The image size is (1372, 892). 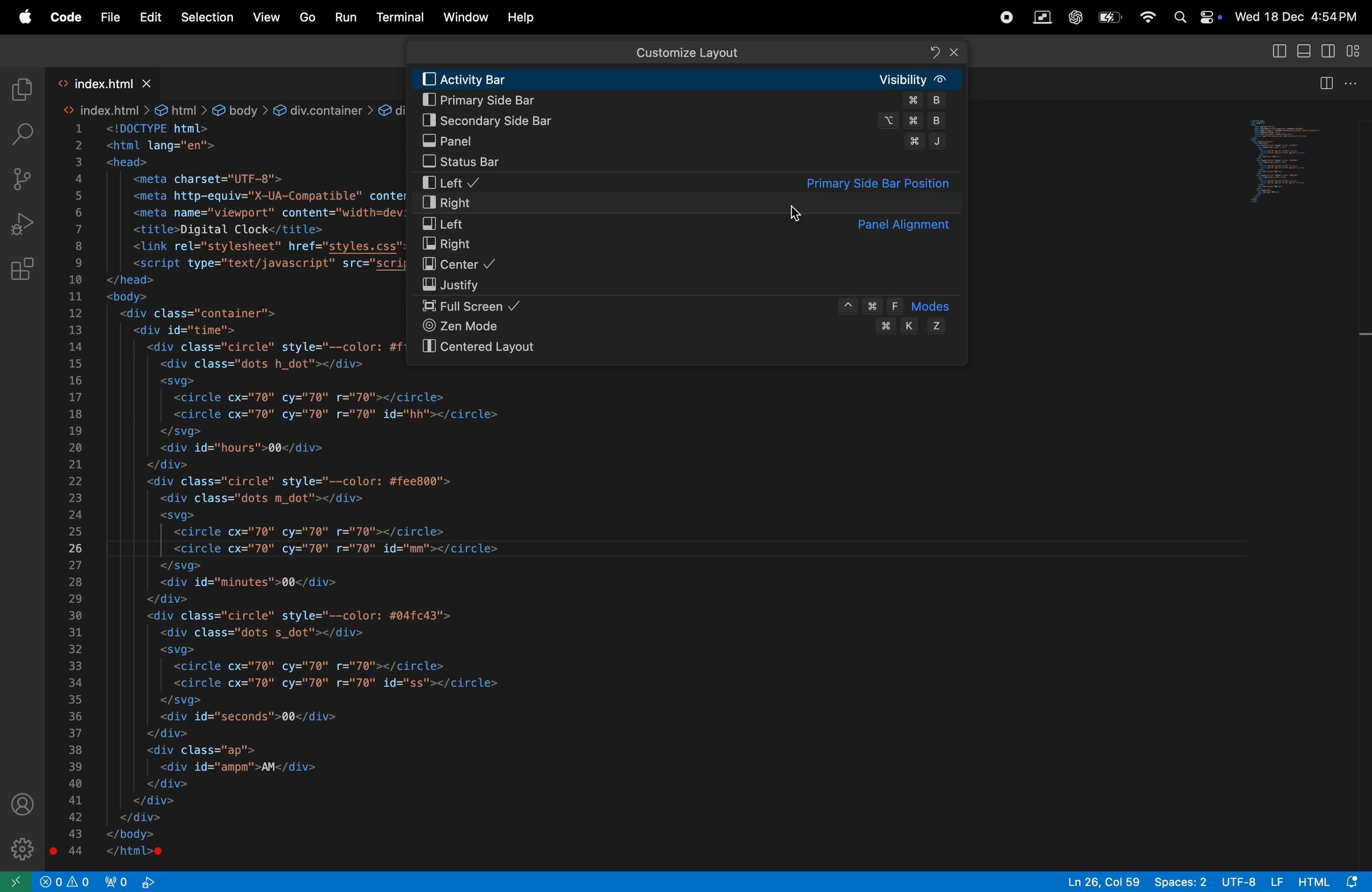 What do you see at coordinates (265, 17) in the screenshot?
I see `View` at bounding box center [265, 17].